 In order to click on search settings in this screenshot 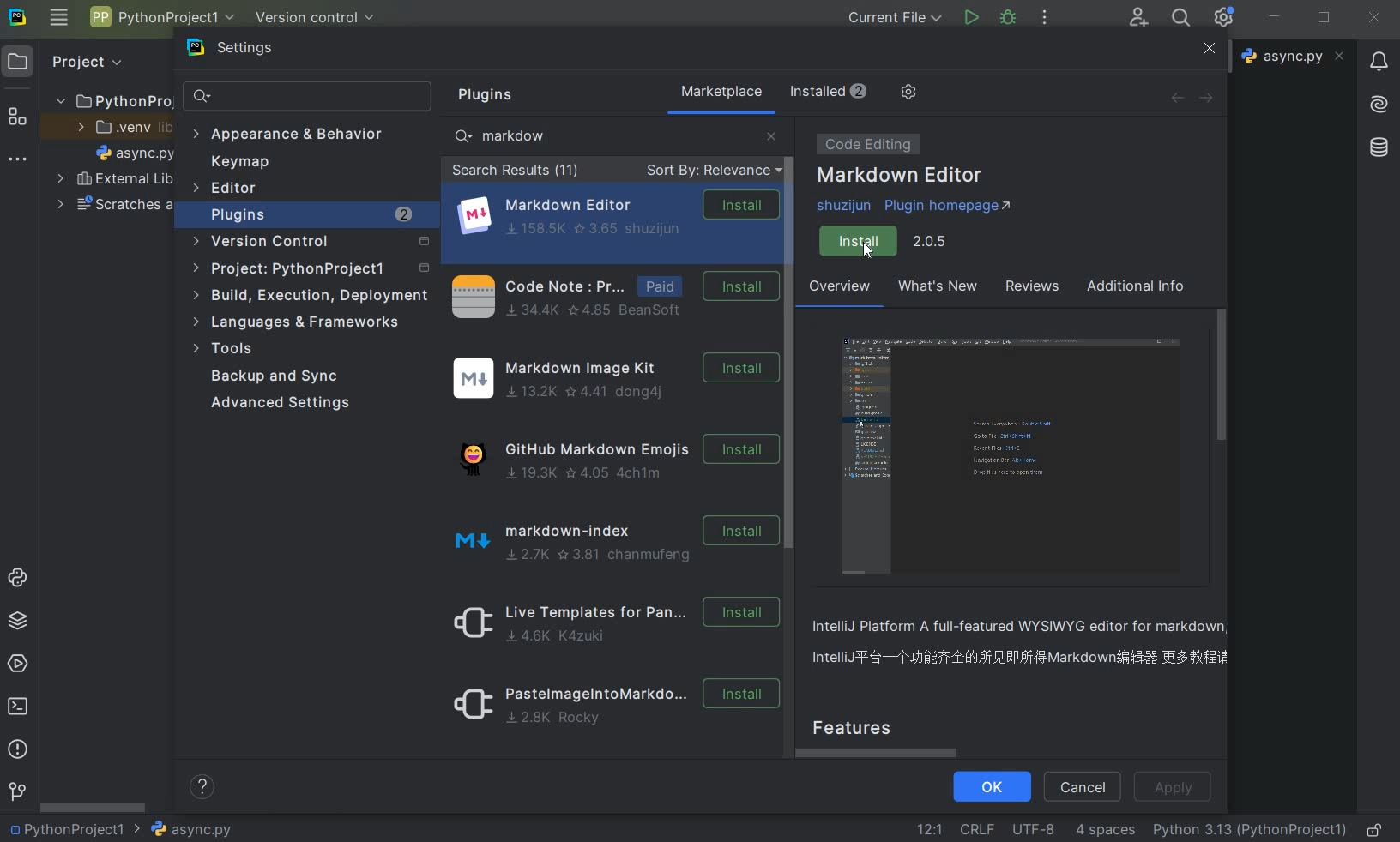, I will do `click(309, 97)`.